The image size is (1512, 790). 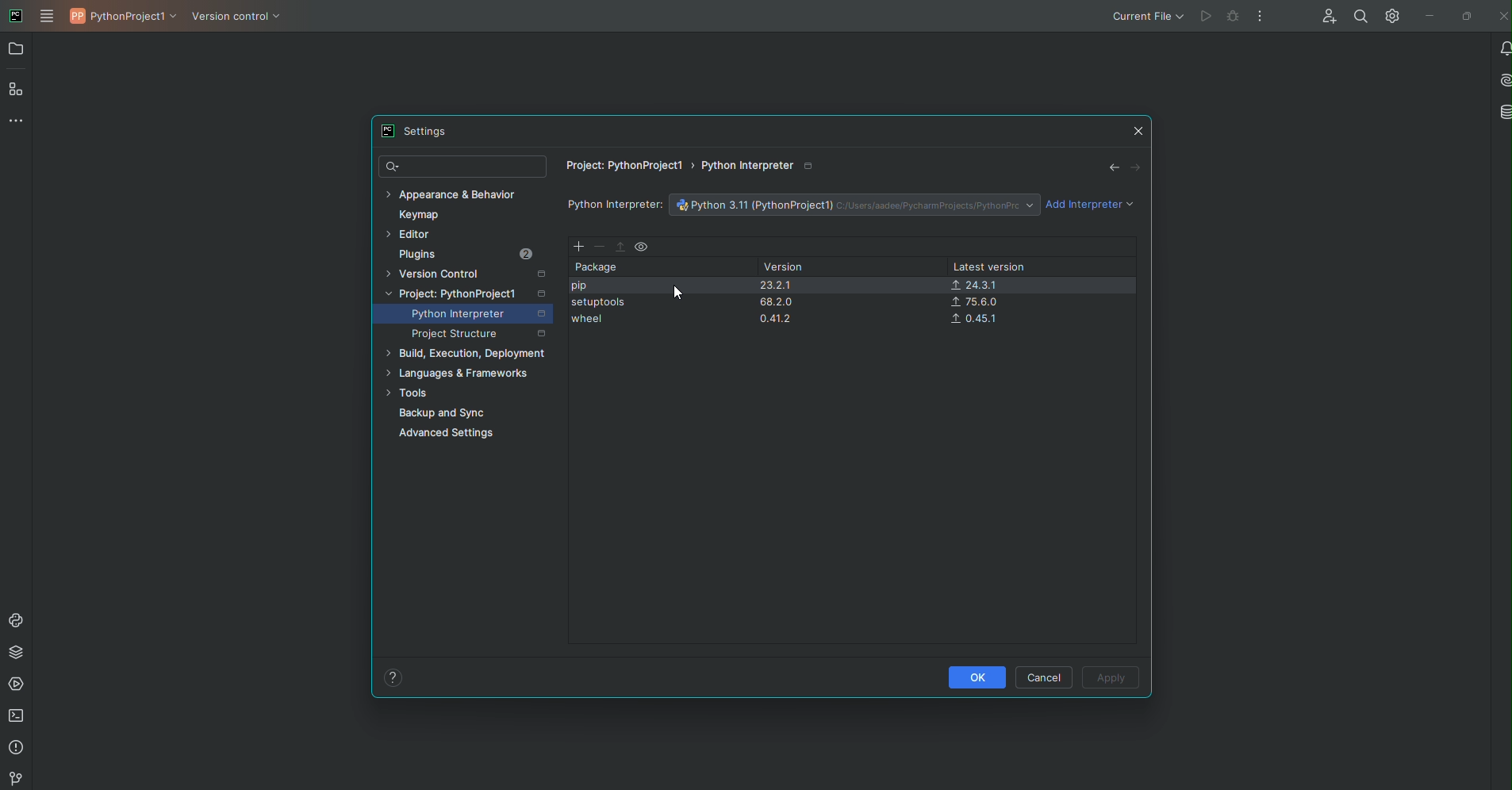 I want to click on Cancel, so click(x=1044, y=676).